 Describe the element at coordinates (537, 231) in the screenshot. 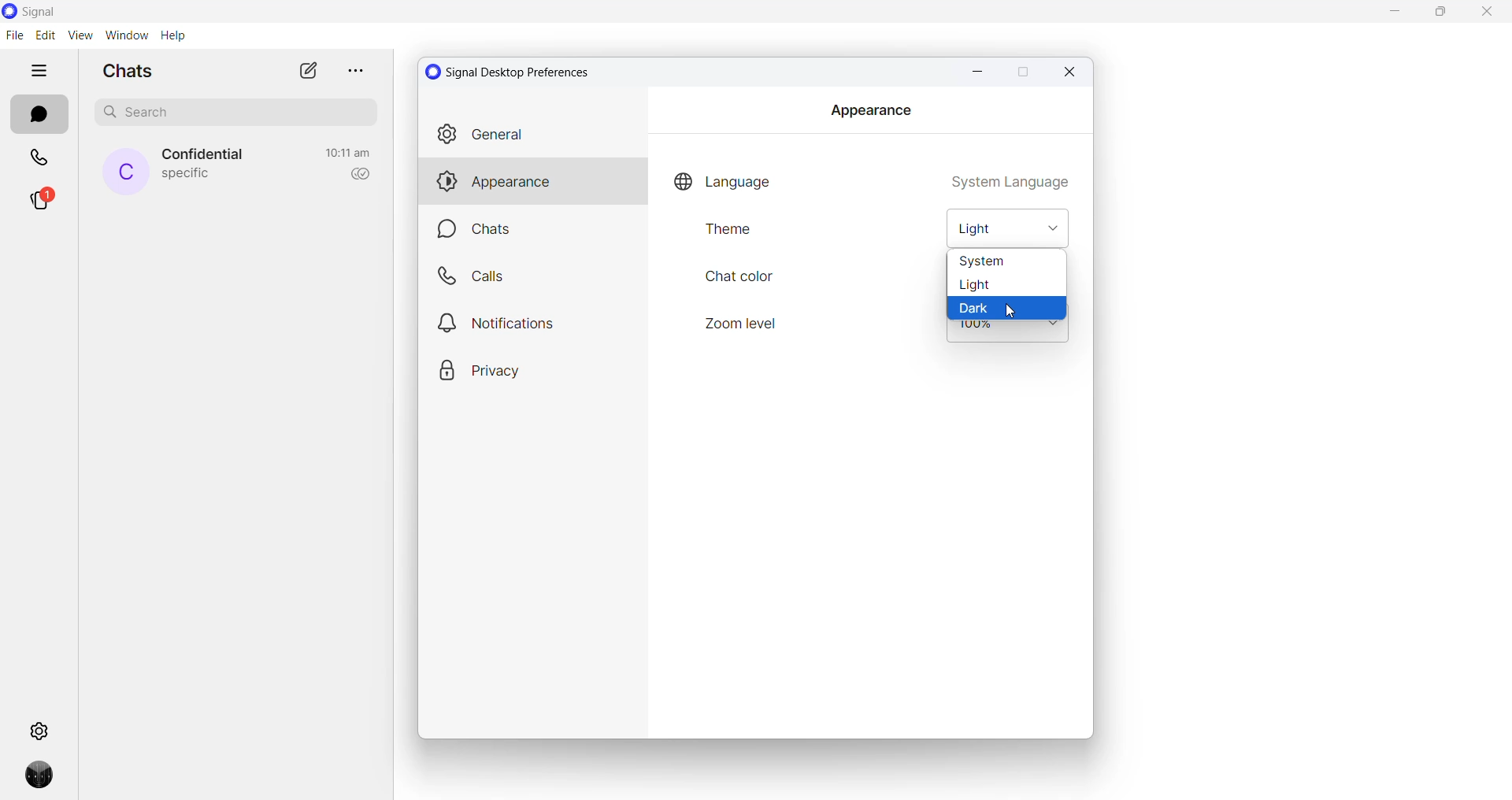

I see `chat` at that location.